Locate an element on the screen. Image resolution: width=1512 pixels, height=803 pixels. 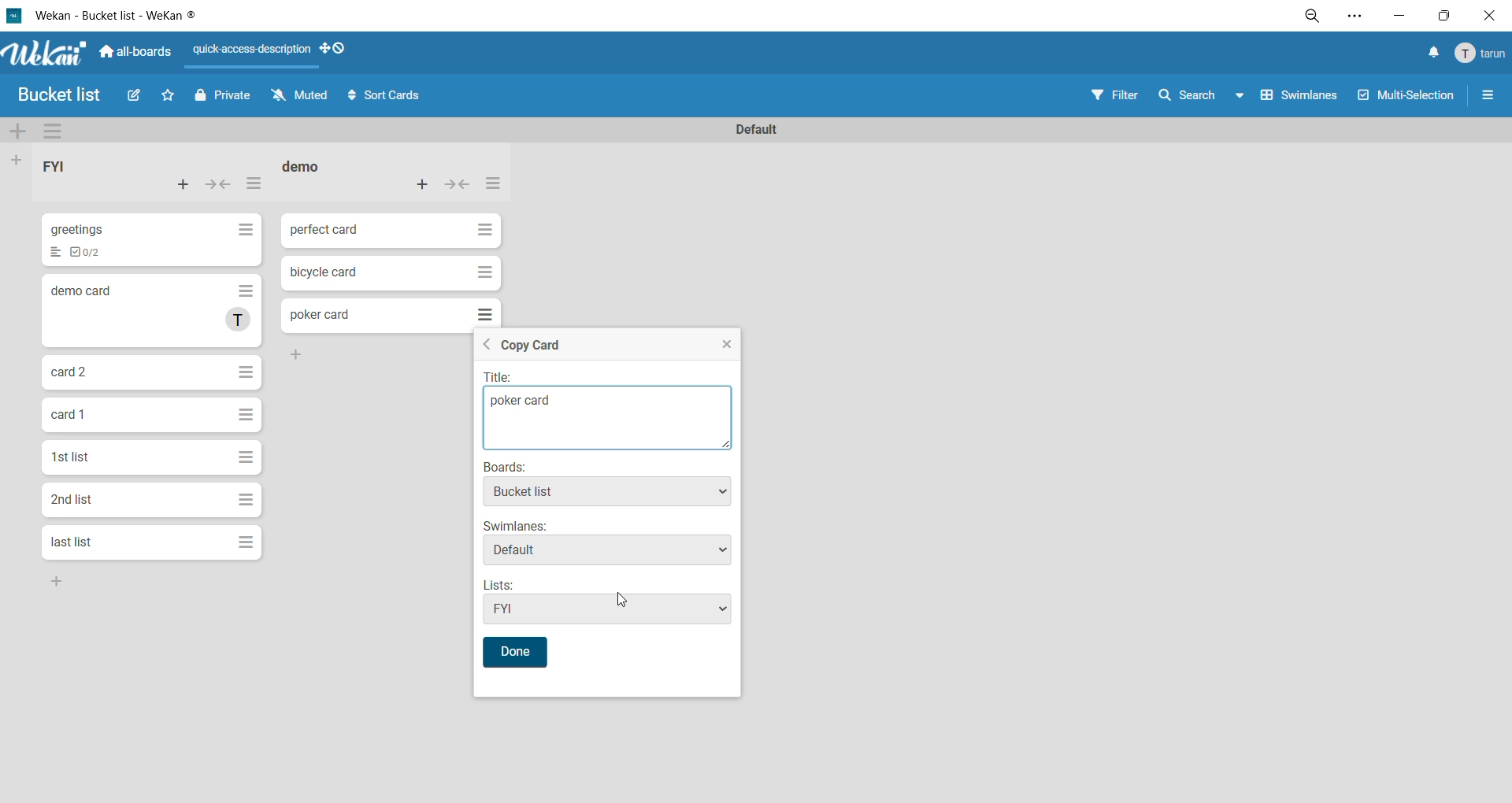
To-dos is located at coordinates (93, 253).